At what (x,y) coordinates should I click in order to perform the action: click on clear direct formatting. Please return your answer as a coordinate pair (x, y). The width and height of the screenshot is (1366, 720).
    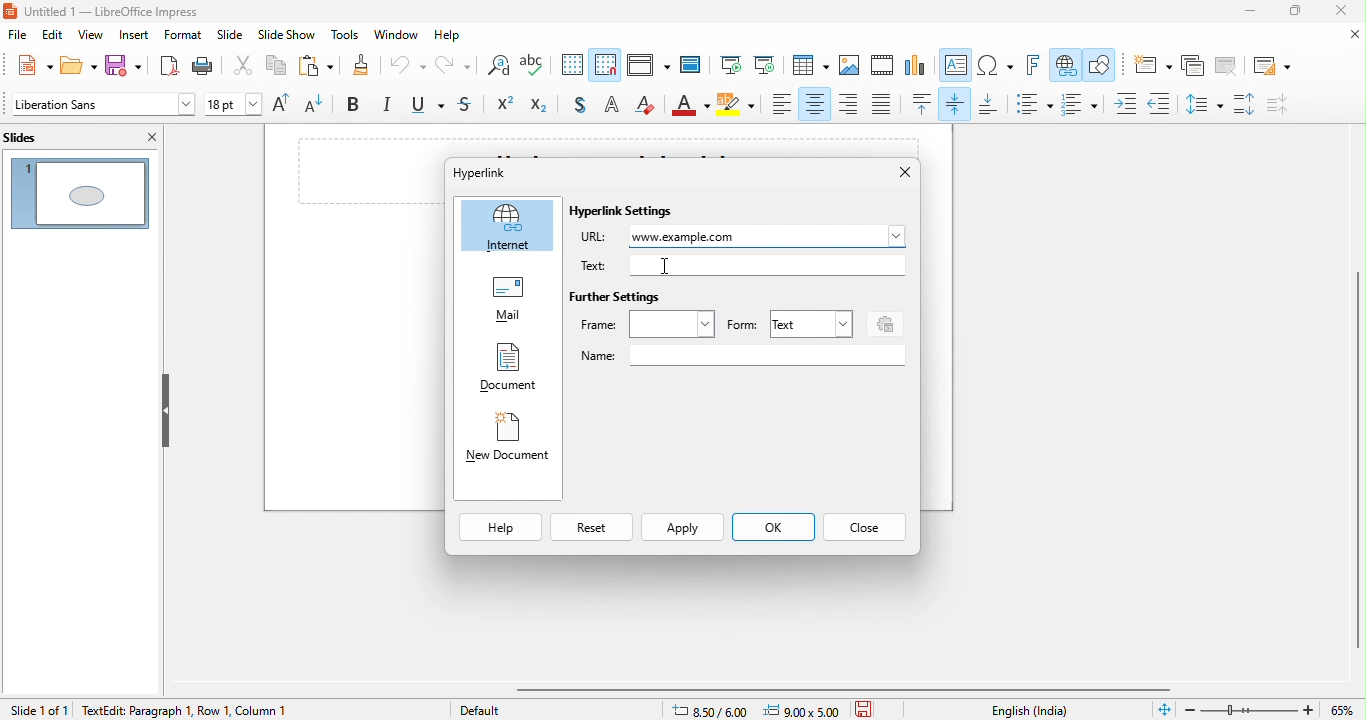
    Looking at the image, I should click on (647, 106).